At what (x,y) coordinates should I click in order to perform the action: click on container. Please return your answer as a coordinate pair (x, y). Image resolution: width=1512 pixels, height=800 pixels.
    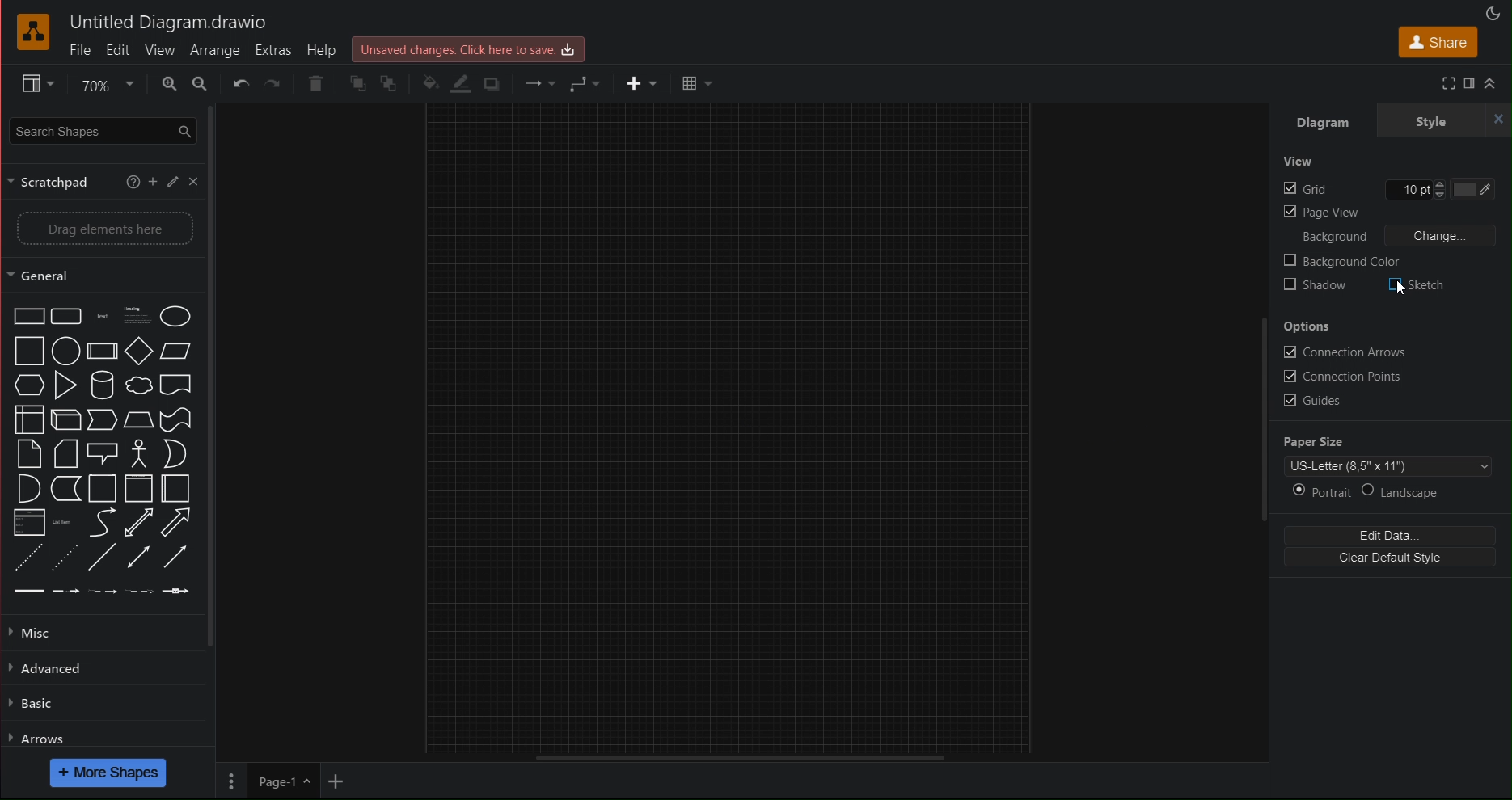
    Looking at the image, I should click on (104, 489).